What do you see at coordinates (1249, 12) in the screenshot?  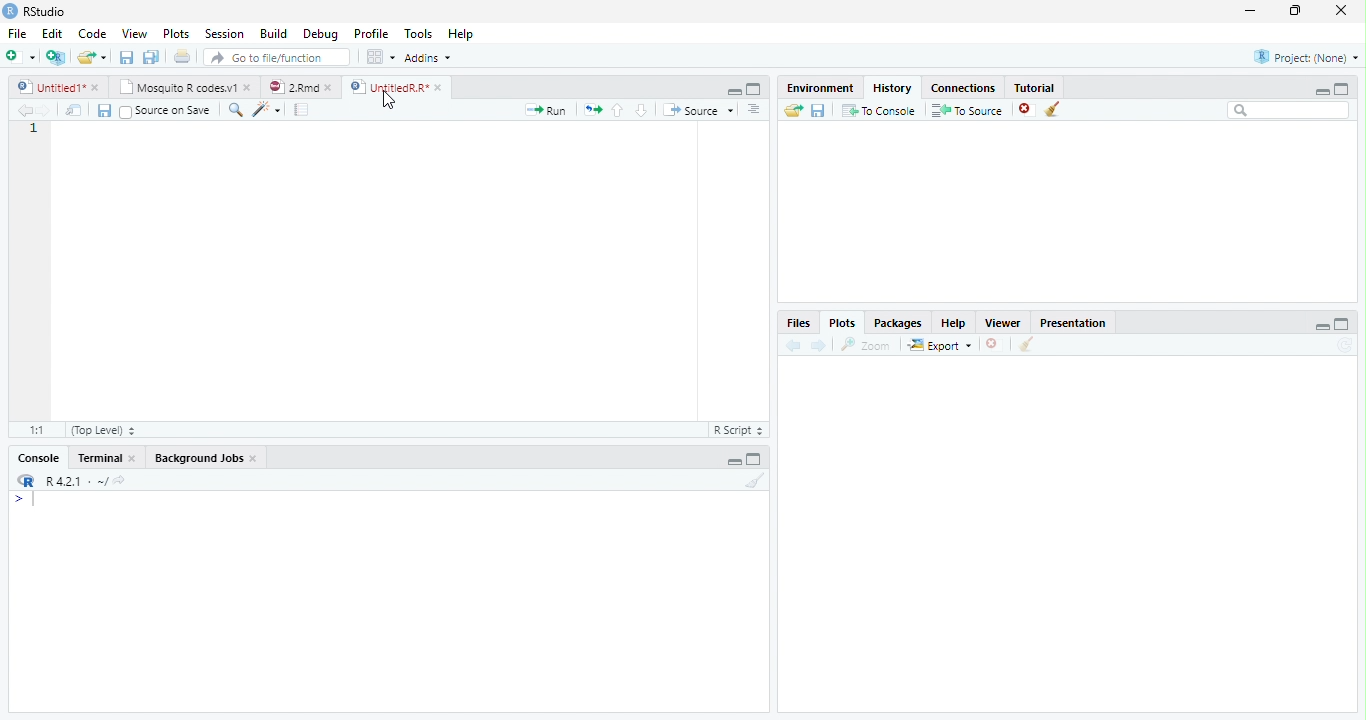 I see `minimize` at bounding box center [1249, 12].